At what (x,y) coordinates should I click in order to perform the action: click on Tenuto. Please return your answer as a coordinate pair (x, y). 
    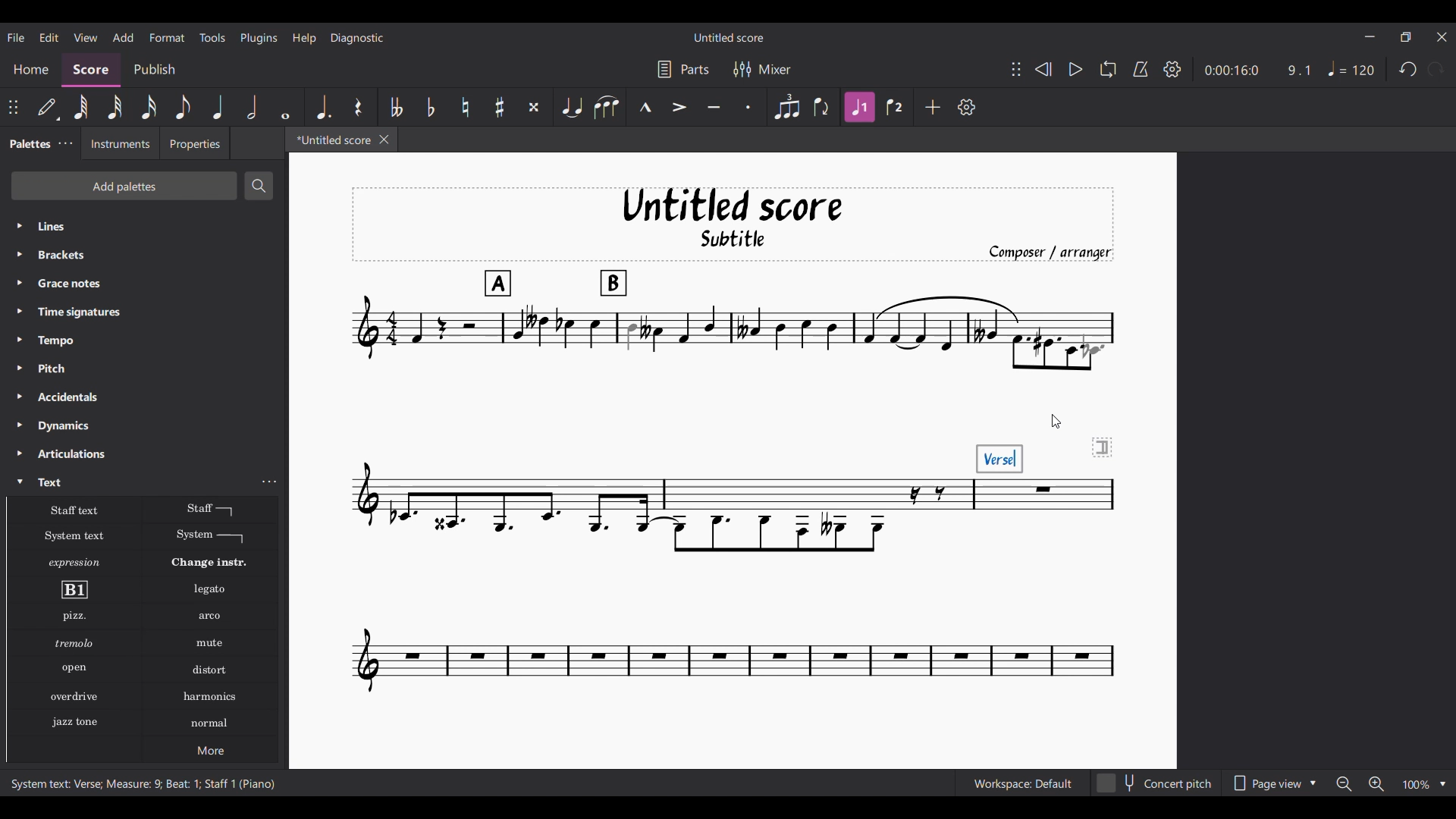
    Looking at the image, I should click on (714, 108).